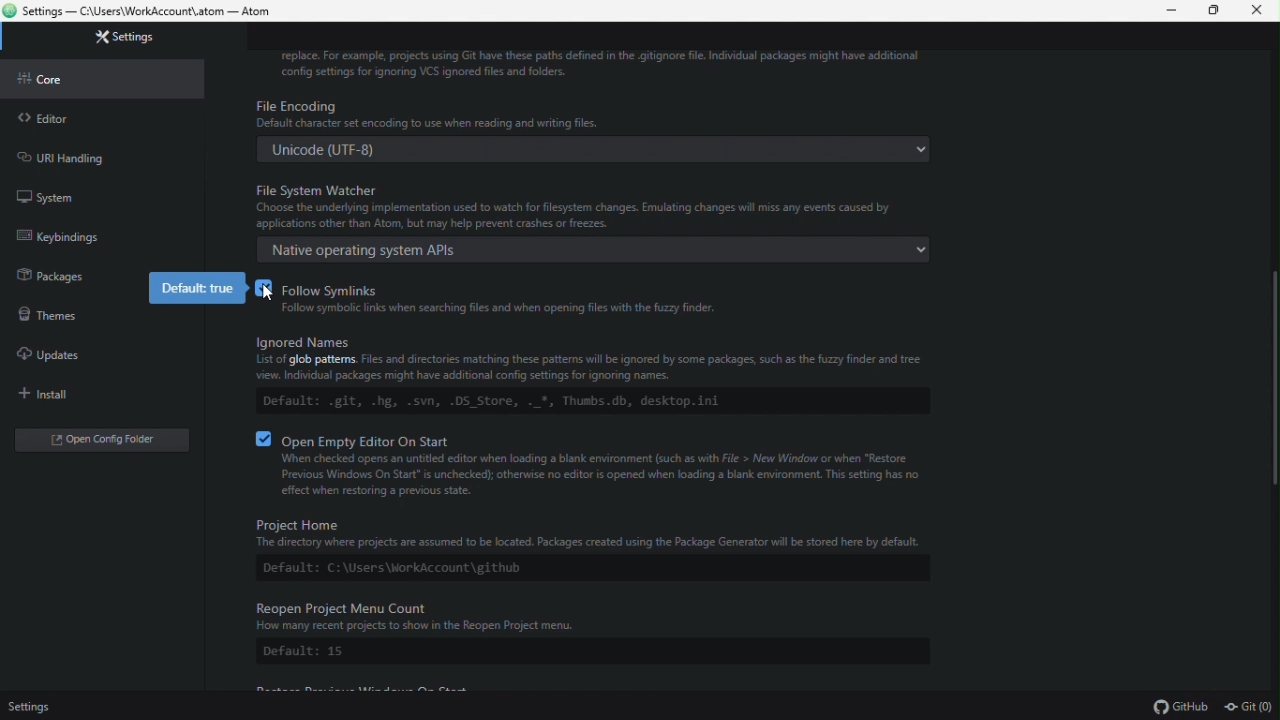 Image resolution: width=1280 pixels, height=720 pixels. Describe the element at coordinates (597, 149) in the screenshot. I see `Unicode (UTF-8)` at that location.